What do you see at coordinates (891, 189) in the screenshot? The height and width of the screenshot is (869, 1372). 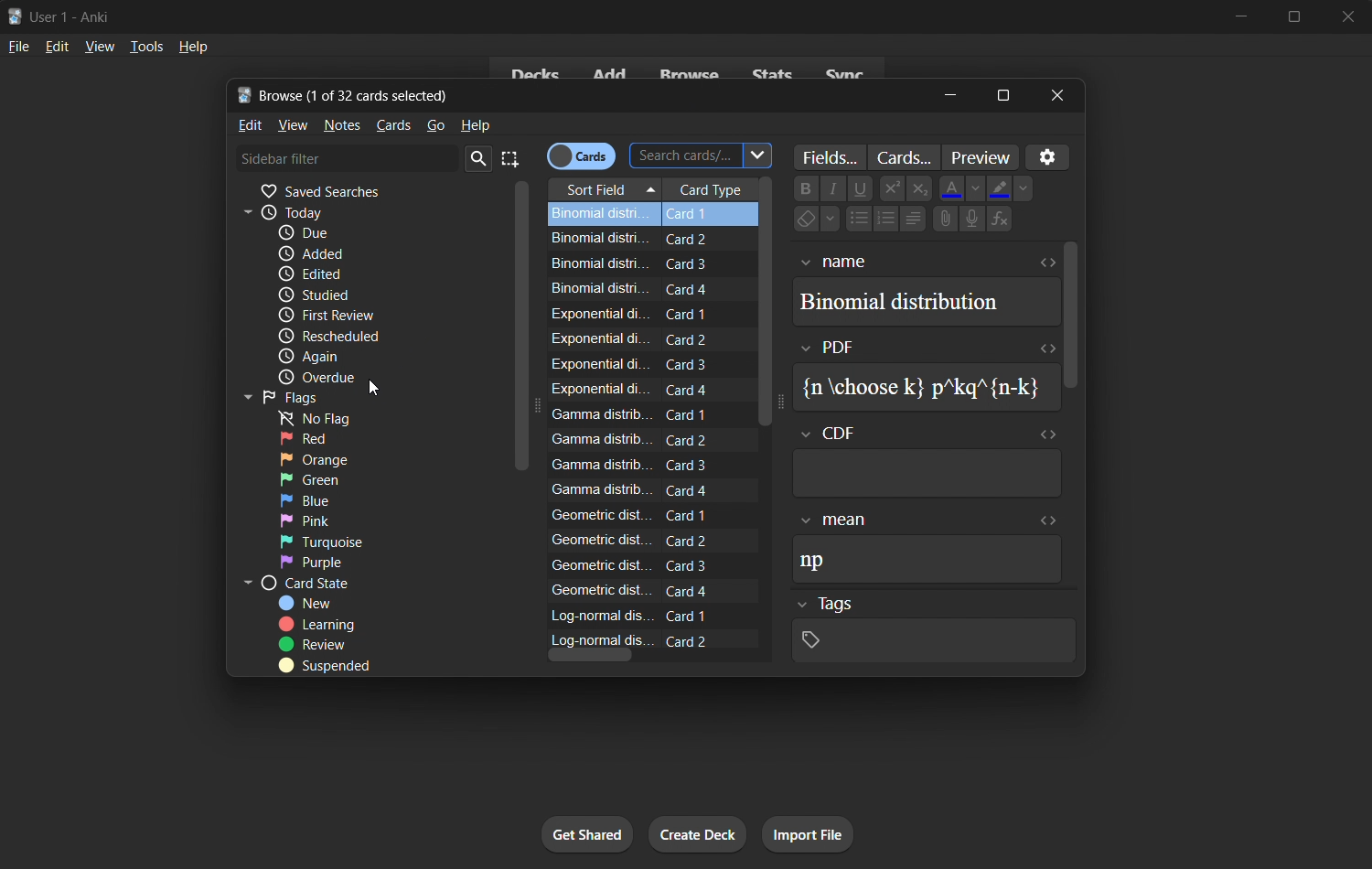 I see `superscript` at bounding box center [891, 189].